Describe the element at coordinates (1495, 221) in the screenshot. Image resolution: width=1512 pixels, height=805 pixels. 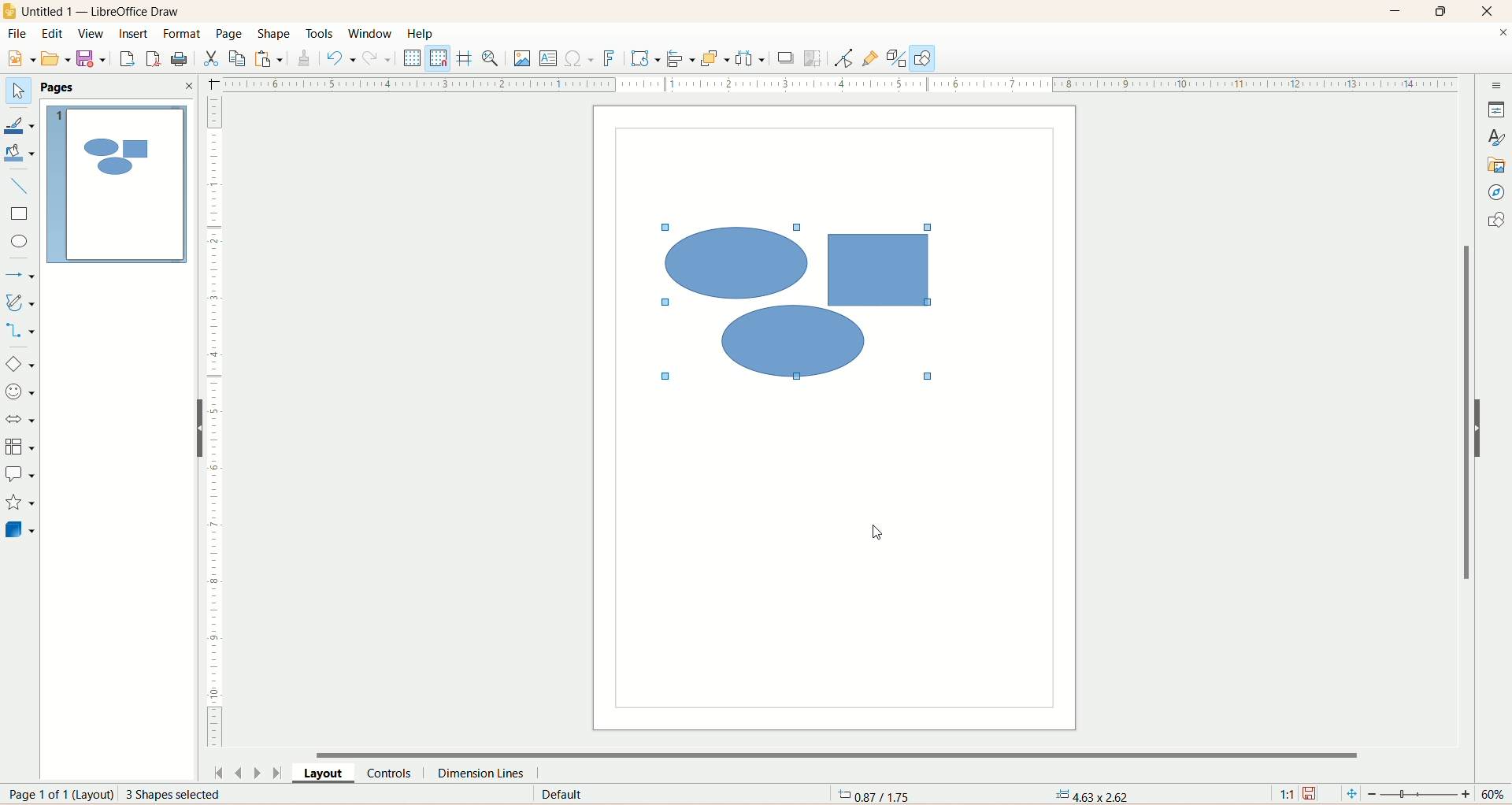
I see `shapes` at that location.